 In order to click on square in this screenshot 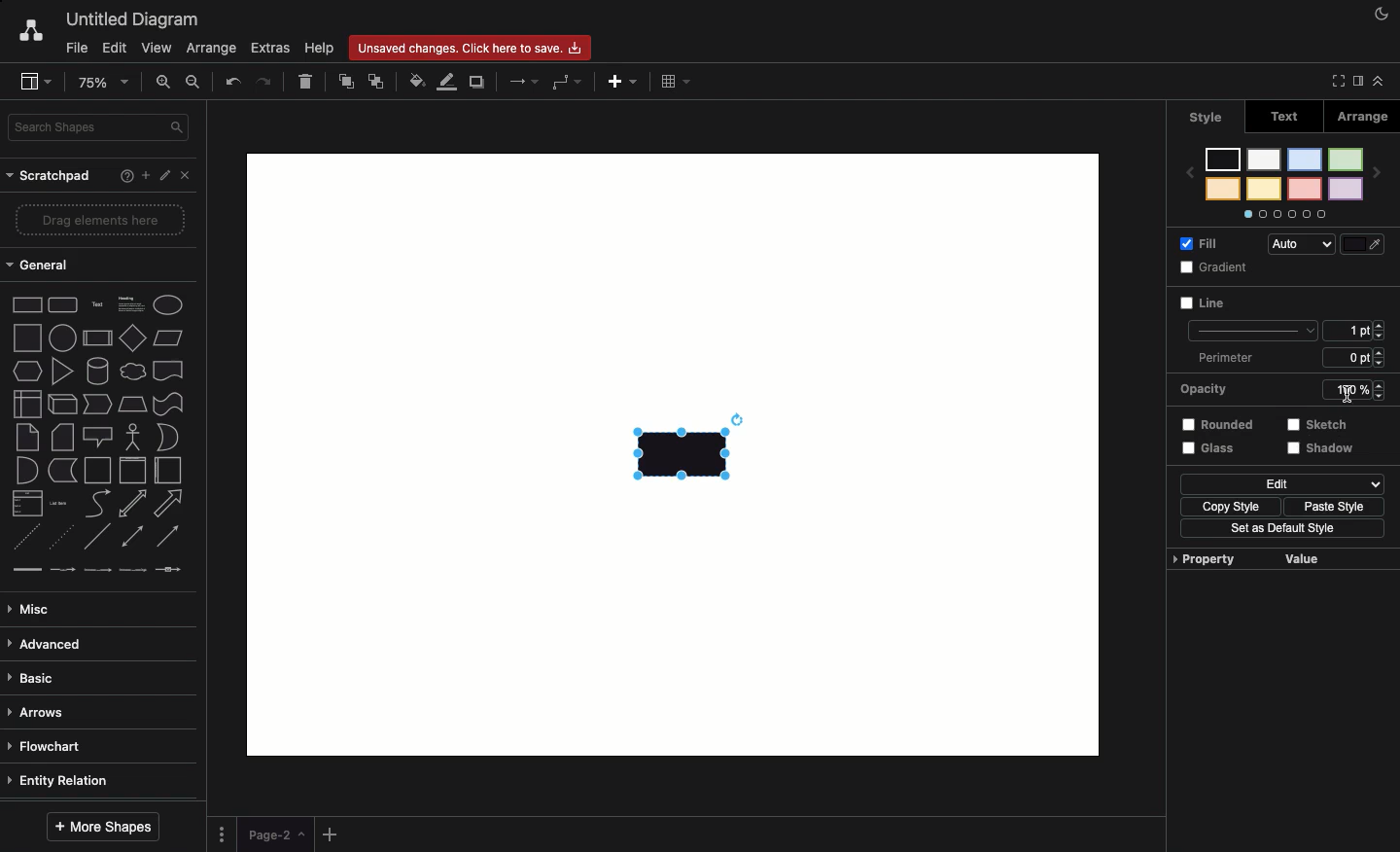, I will do `click(29, 337)`.